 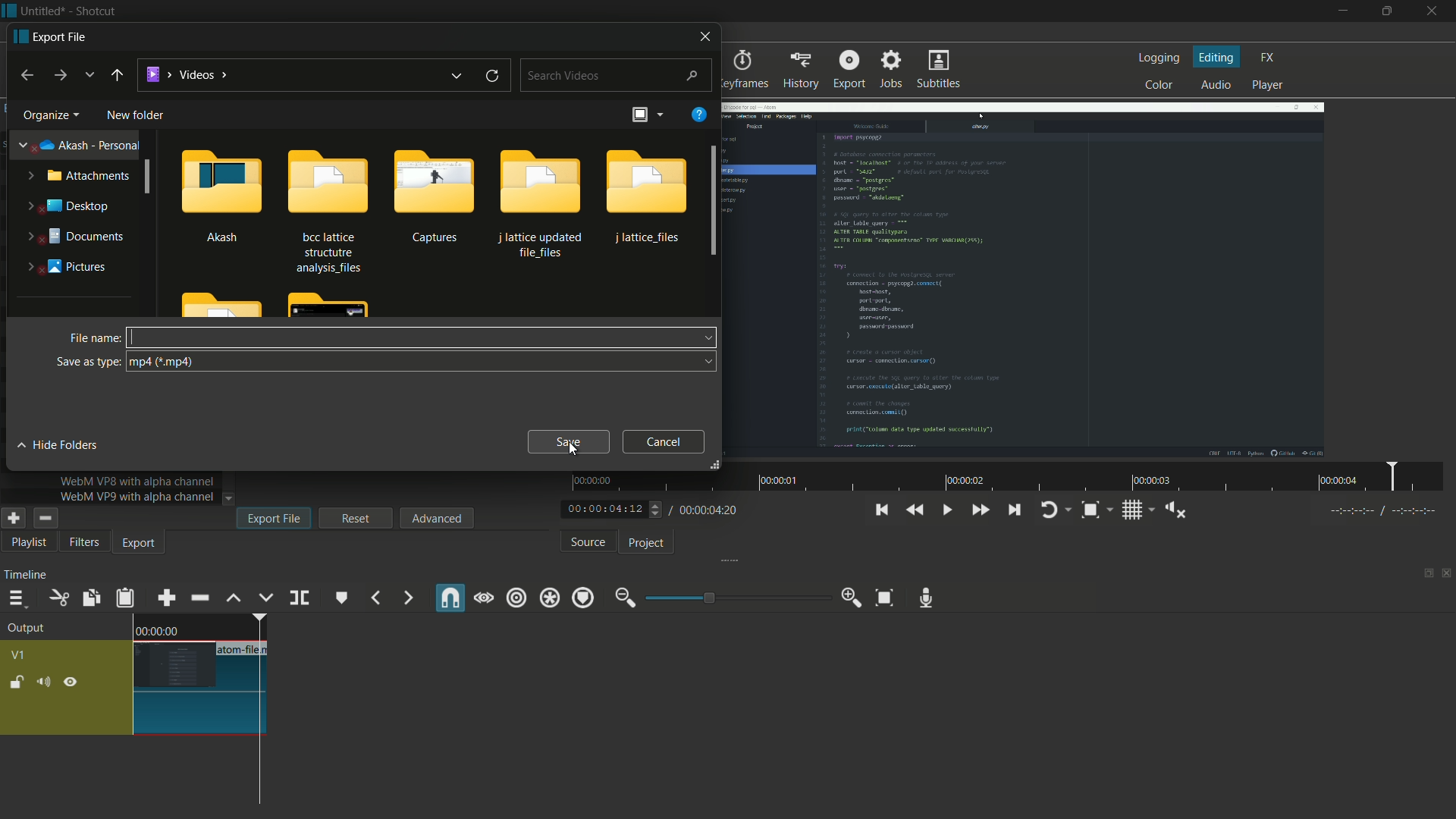 What do you see at coordinates (75, 146) in the screenshot?
I see `akash personal` at bounding box center [75, 146].